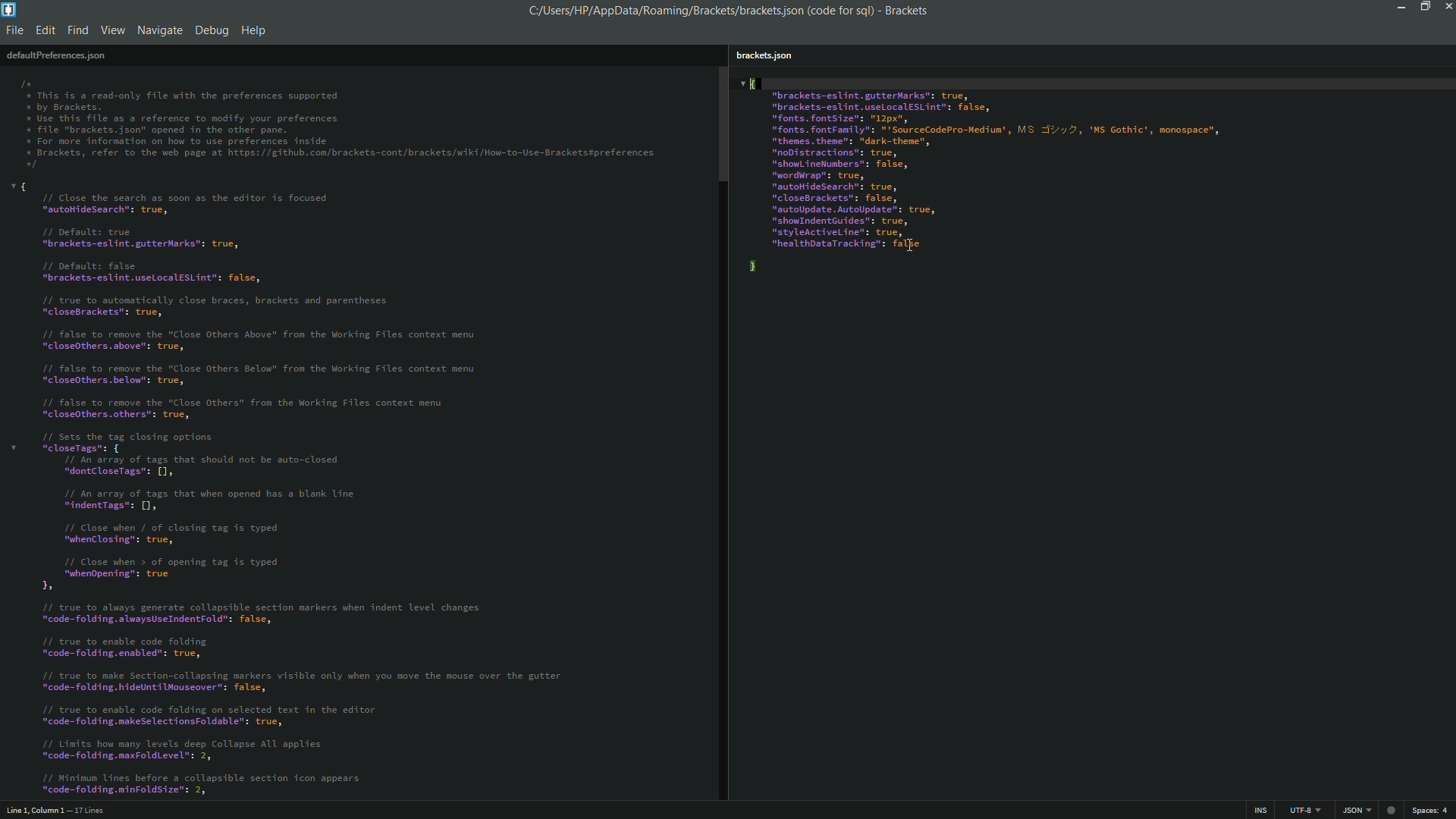  Describe the element at coordinates (44, 32) in the screenshot. I see `Edit menu` at that location.